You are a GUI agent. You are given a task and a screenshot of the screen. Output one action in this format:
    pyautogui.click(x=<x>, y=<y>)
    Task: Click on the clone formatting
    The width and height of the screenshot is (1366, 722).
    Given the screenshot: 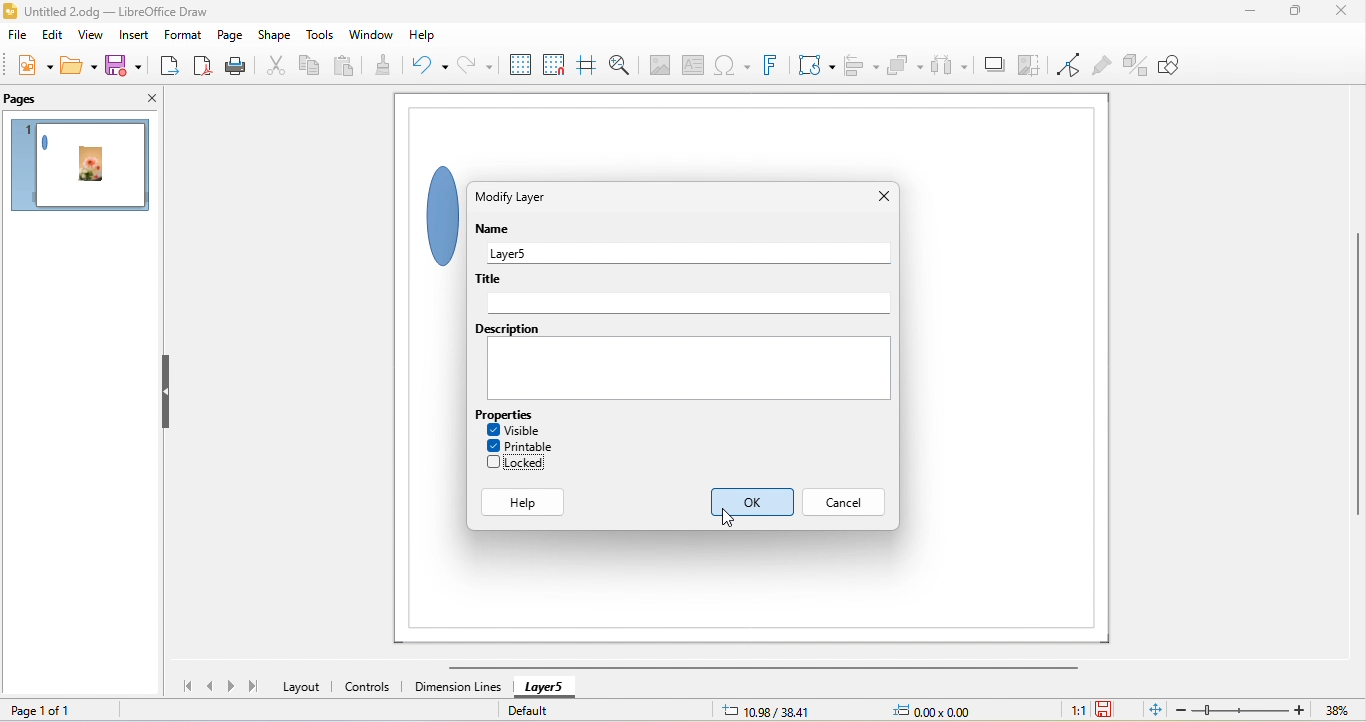 What is the action you would take?
    pyautogui.click(x=391, y=66)
    